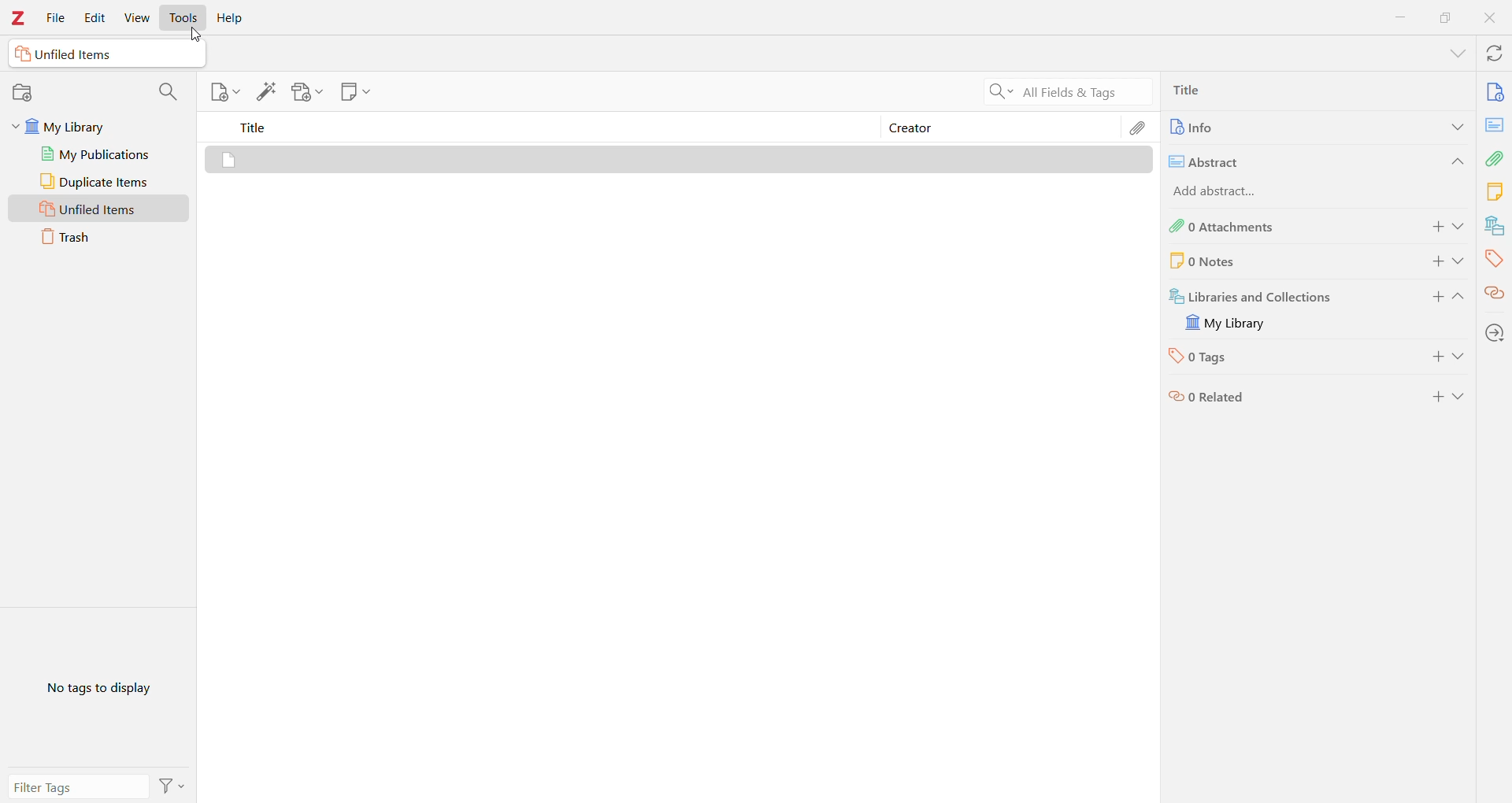  What do you see at coordinates (1399, 15) in the screenshot?
I see `Minimize` at bounding box center [1399, 15].